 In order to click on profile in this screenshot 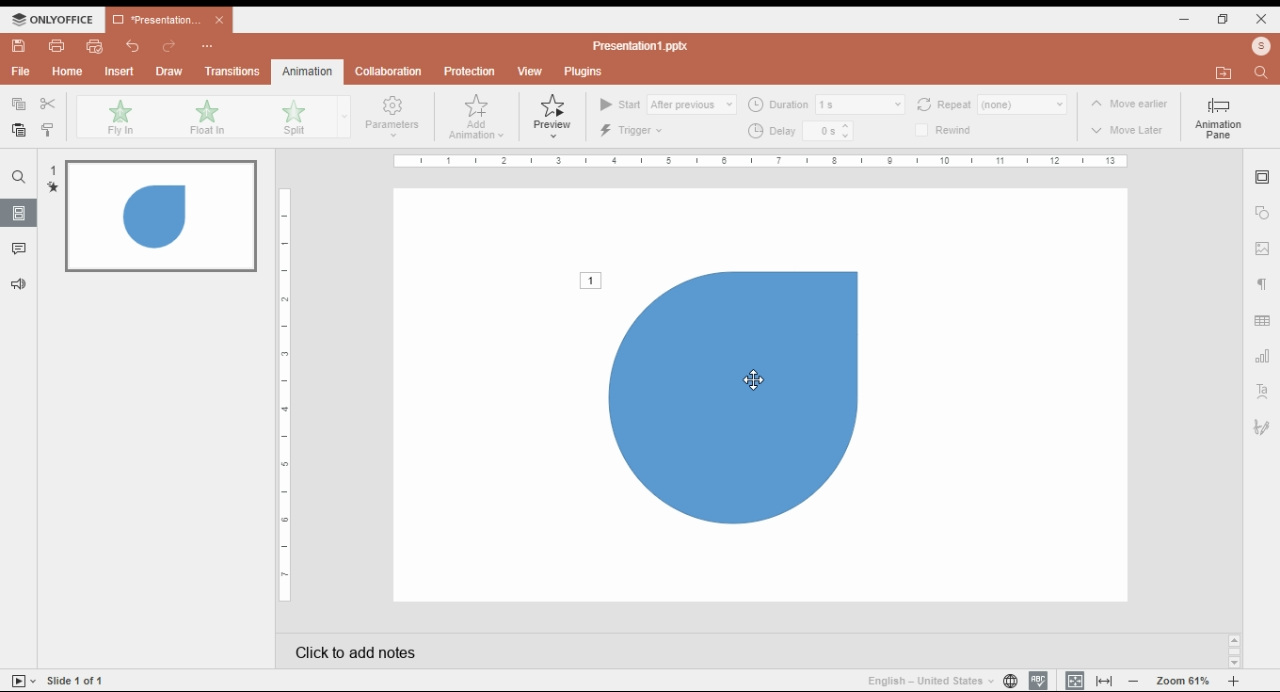, I will do `click(1222, 72)`.